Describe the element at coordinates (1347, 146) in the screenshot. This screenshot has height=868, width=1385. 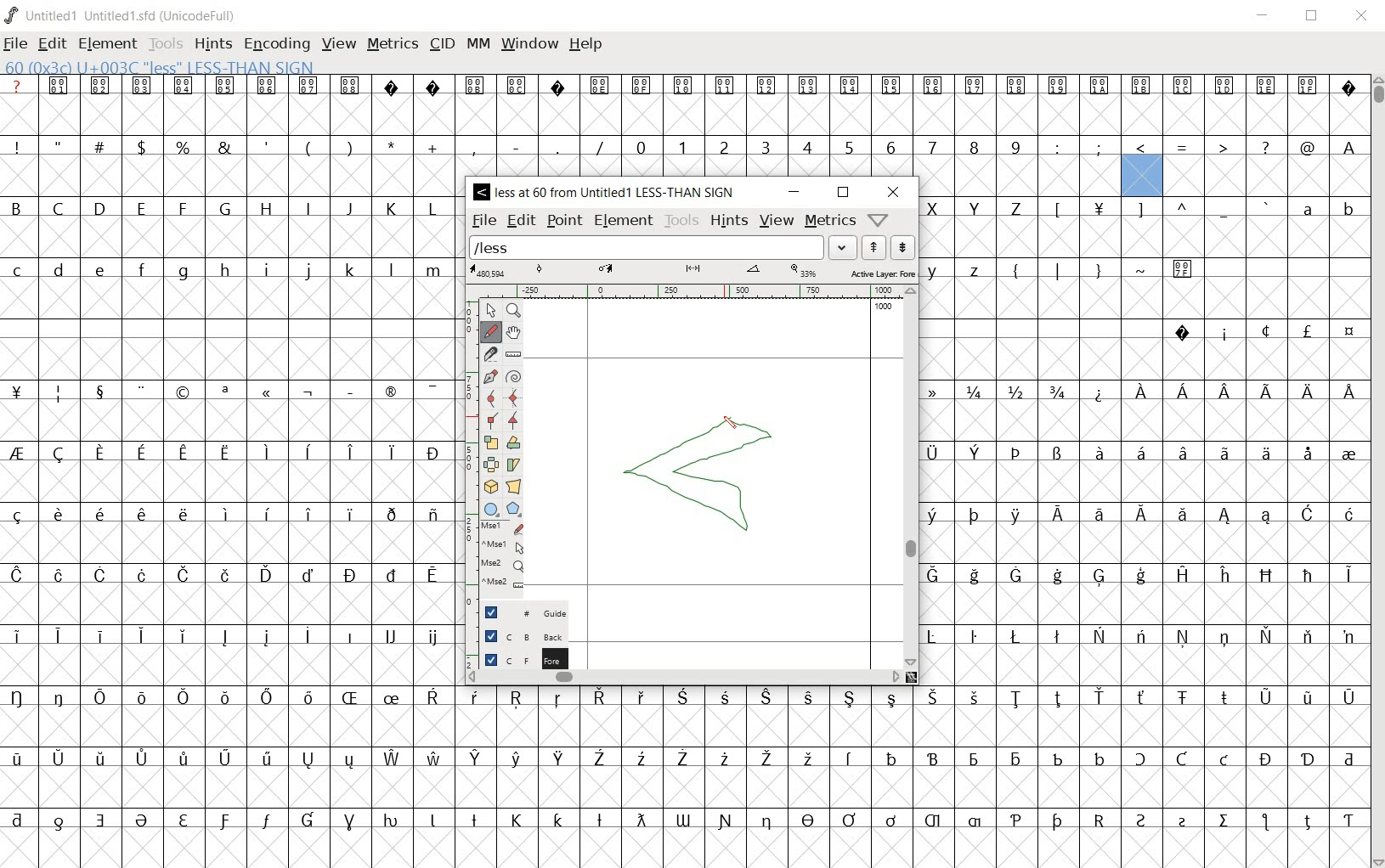
I see `` at that location.